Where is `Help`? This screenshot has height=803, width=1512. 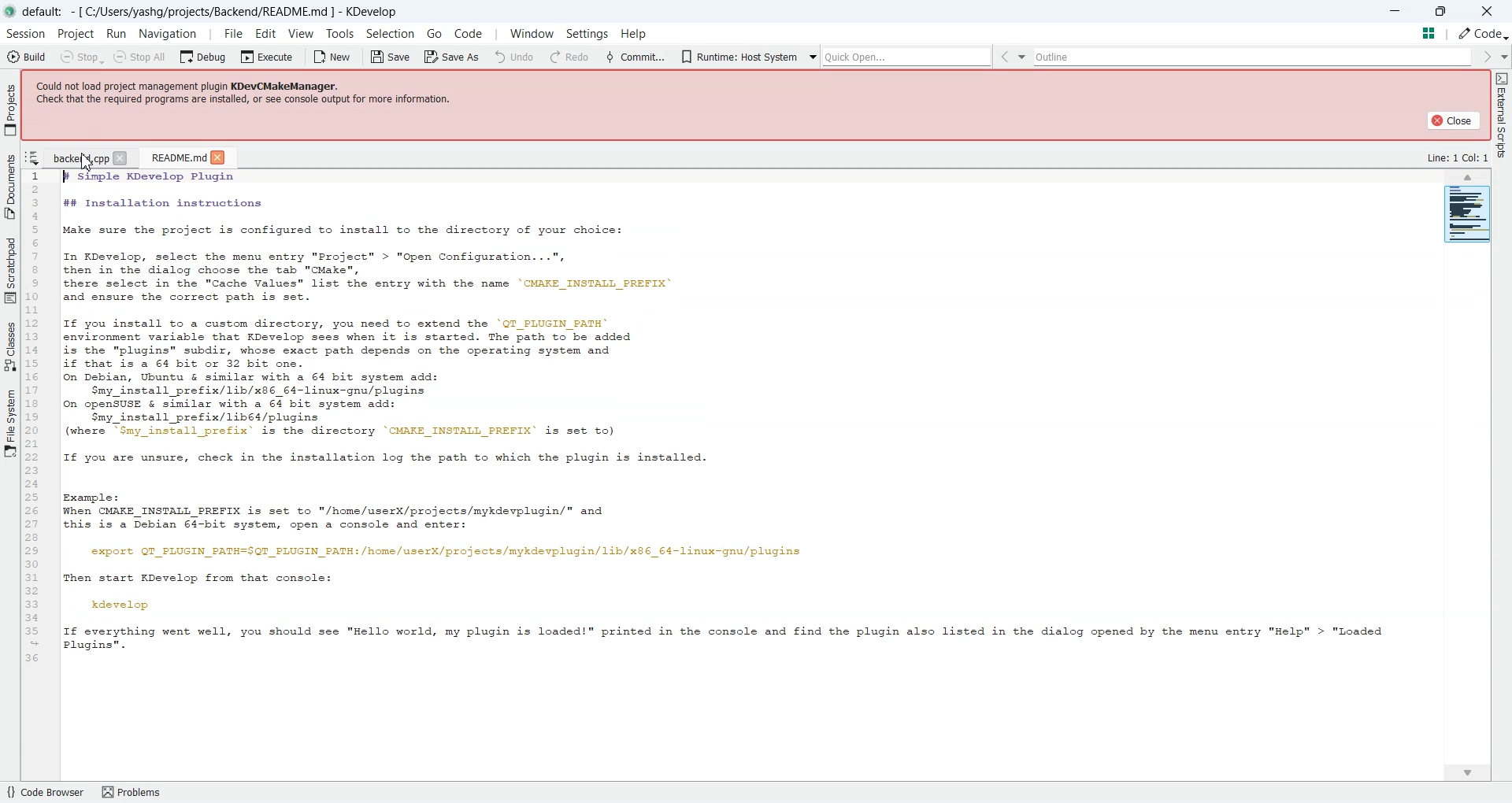 Help is located at coordinates (648, 32).